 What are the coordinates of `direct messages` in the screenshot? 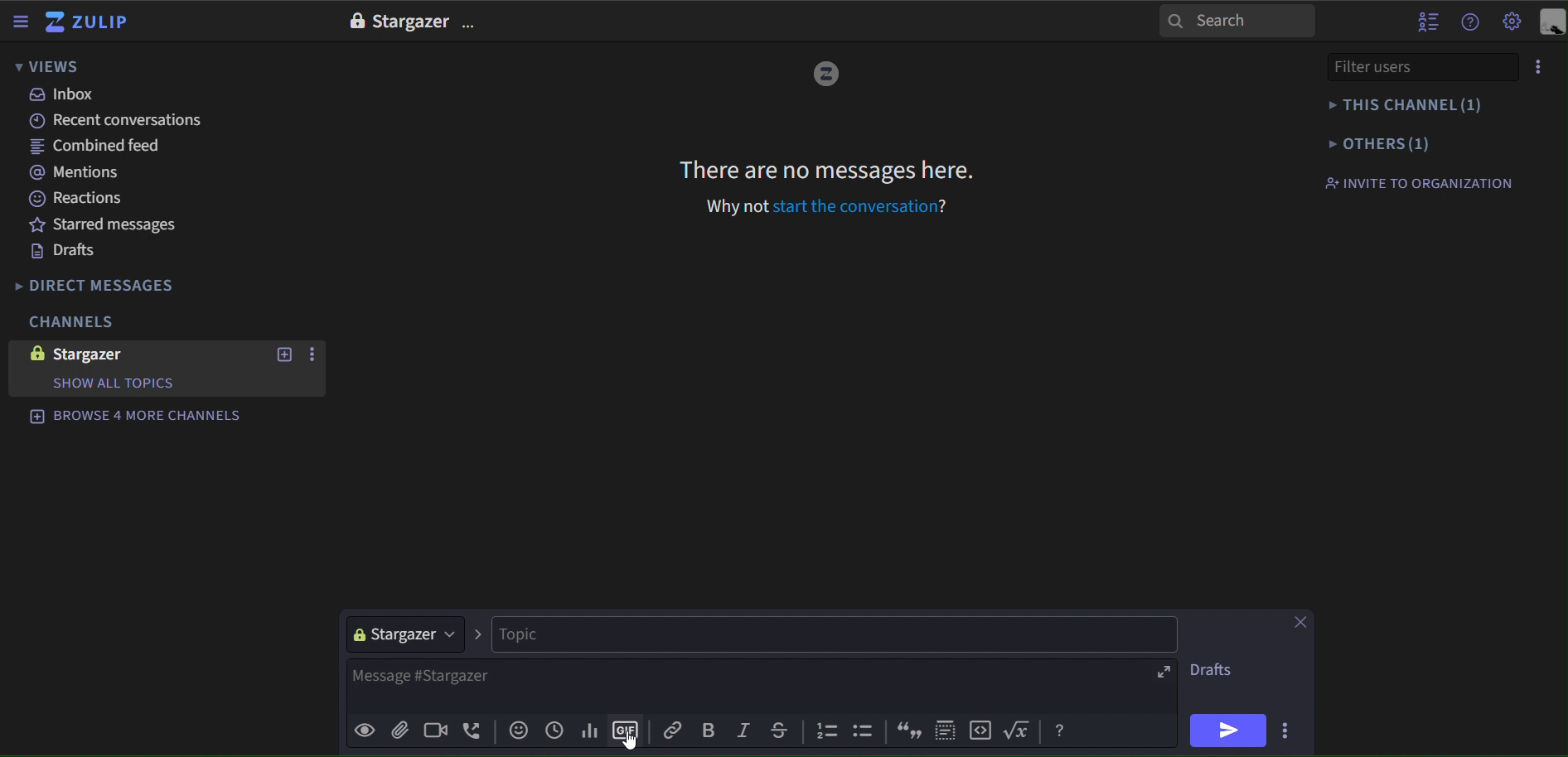 It's located at (109, 286).